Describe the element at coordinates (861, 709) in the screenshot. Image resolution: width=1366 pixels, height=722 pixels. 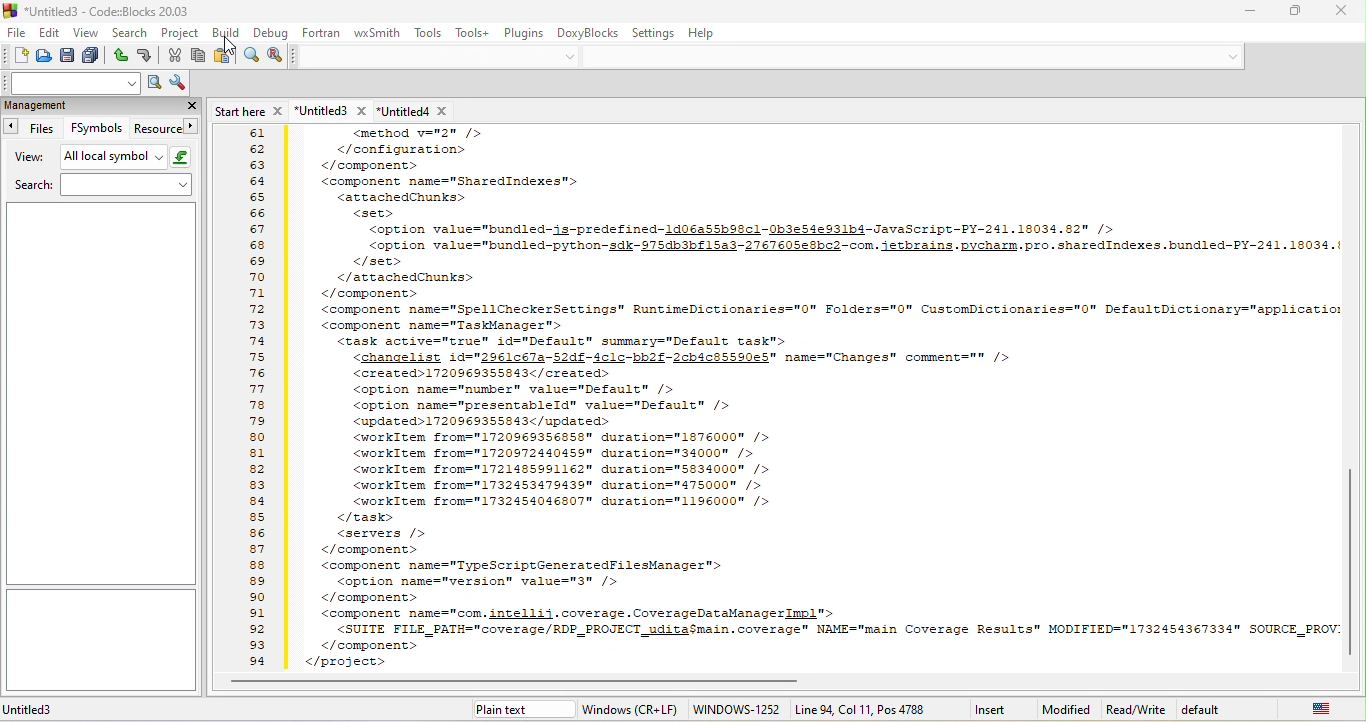
I see `line 94, col 11, pos 4788` at that location.